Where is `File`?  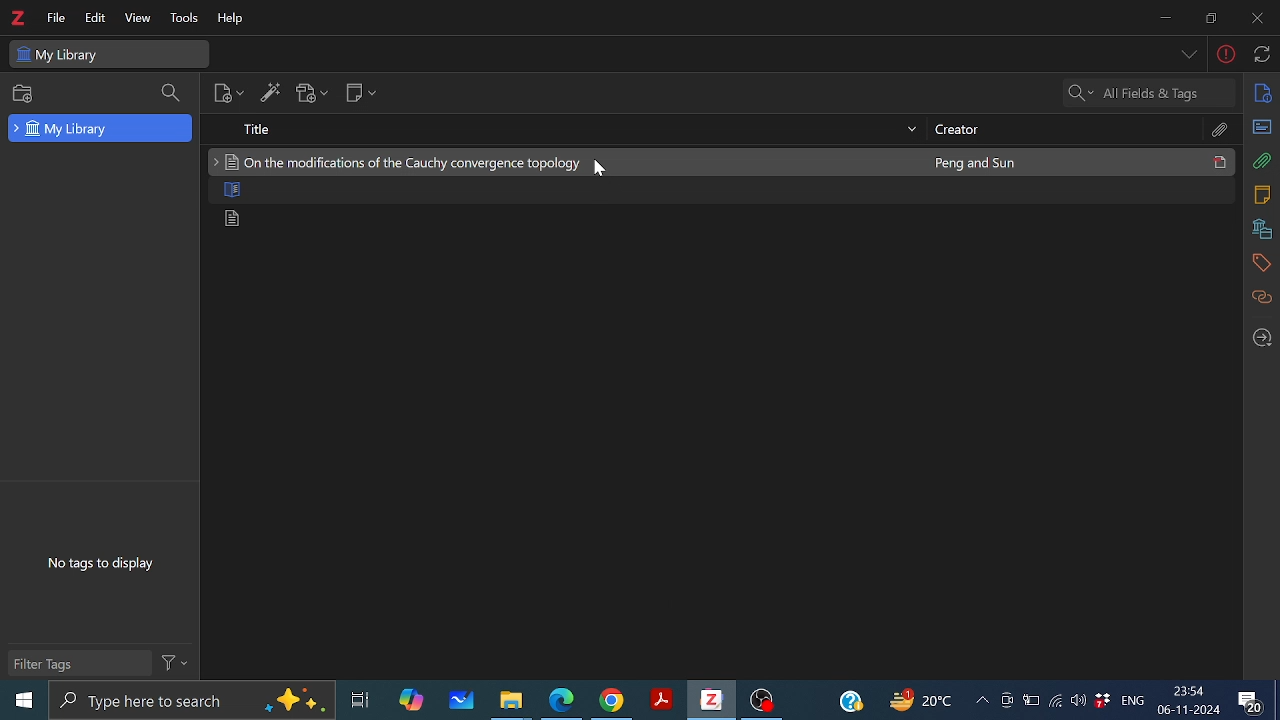 File is located at coordinates (56, 18).